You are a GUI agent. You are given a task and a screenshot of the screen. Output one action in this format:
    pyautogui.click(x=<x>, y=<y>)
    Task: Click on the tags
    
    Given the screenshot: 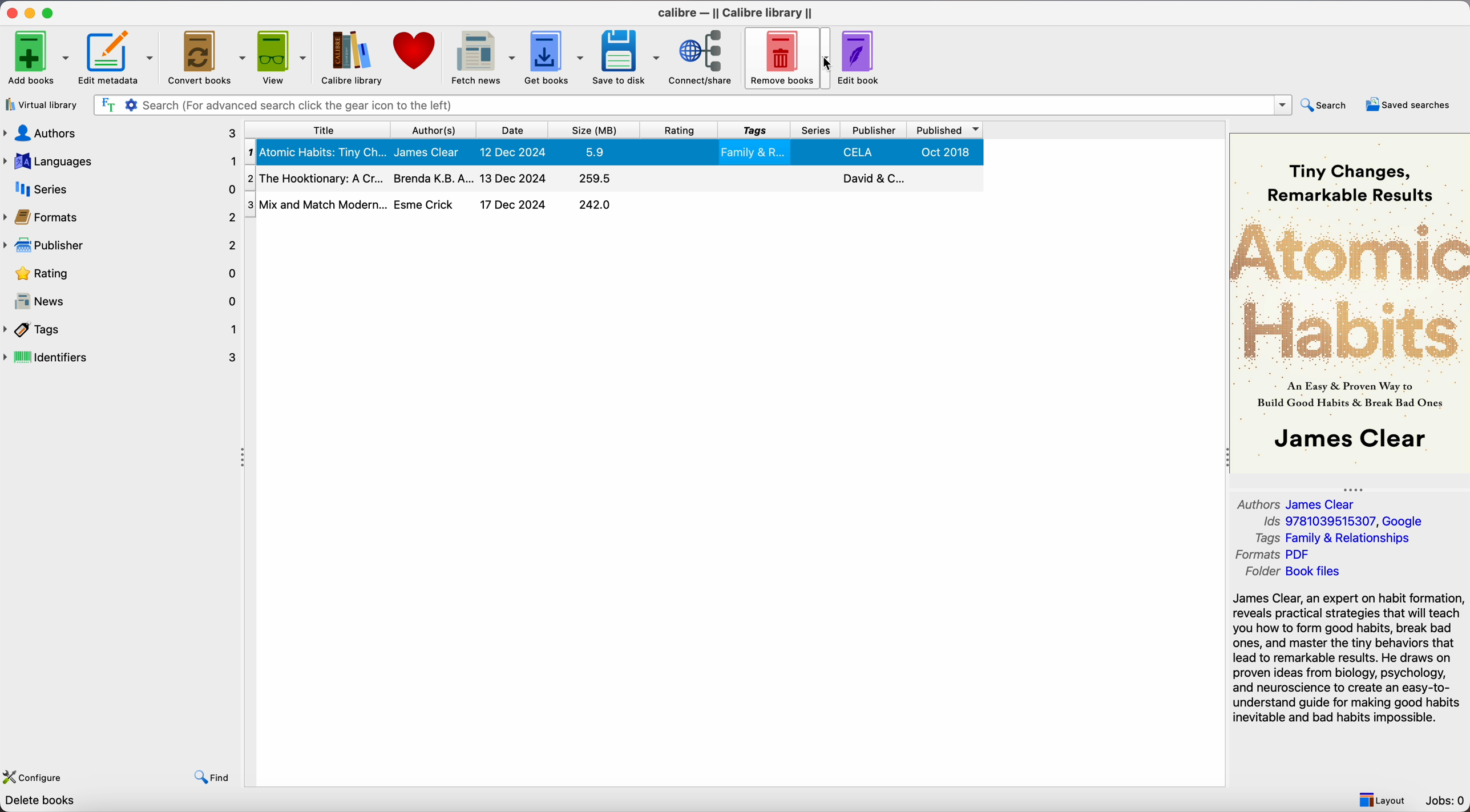 What is the action you would take?
    pyautogui.click(x=754, y=130)
    